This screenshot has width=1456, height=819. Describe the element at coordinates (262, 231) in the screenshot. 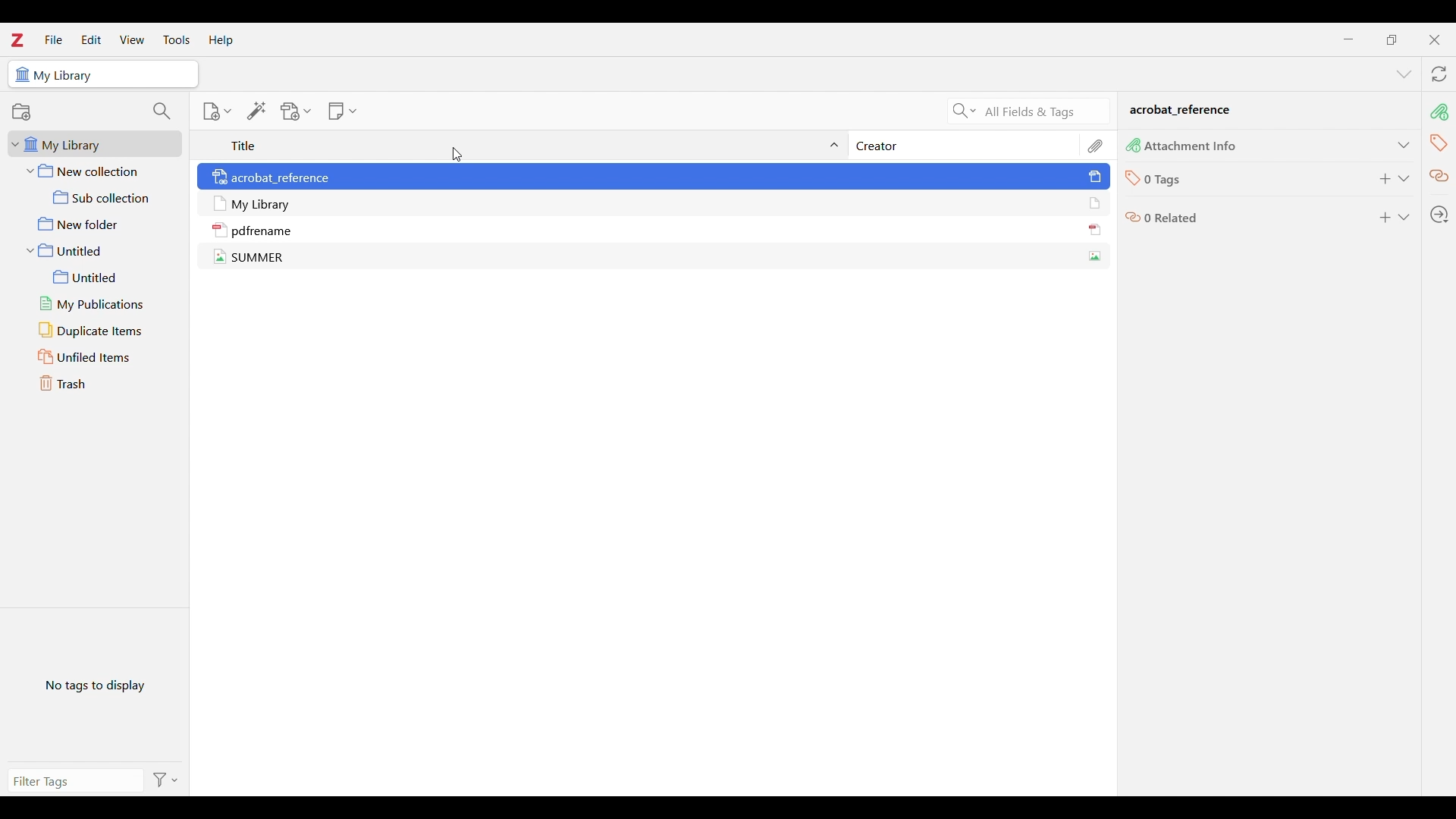

I see `pdfrename` at that location.